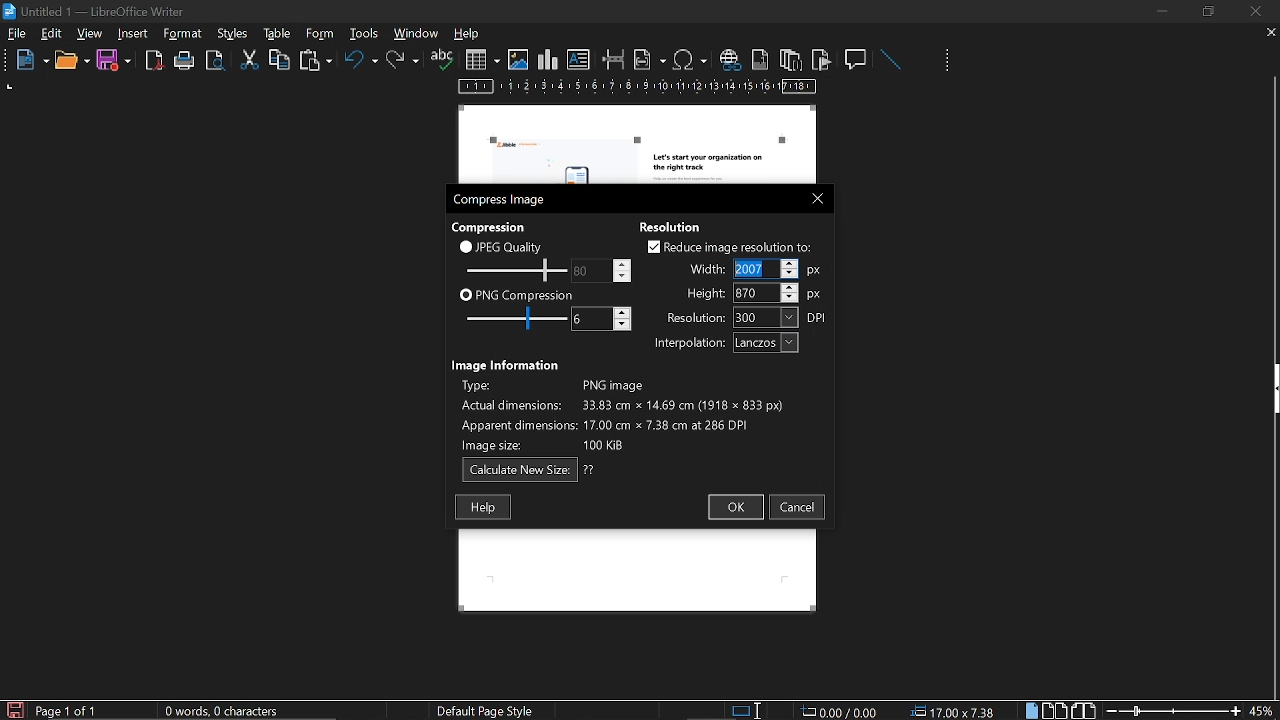 The image size is (1280, 720). I want to click on insert hyperlink, so click(729, 61).